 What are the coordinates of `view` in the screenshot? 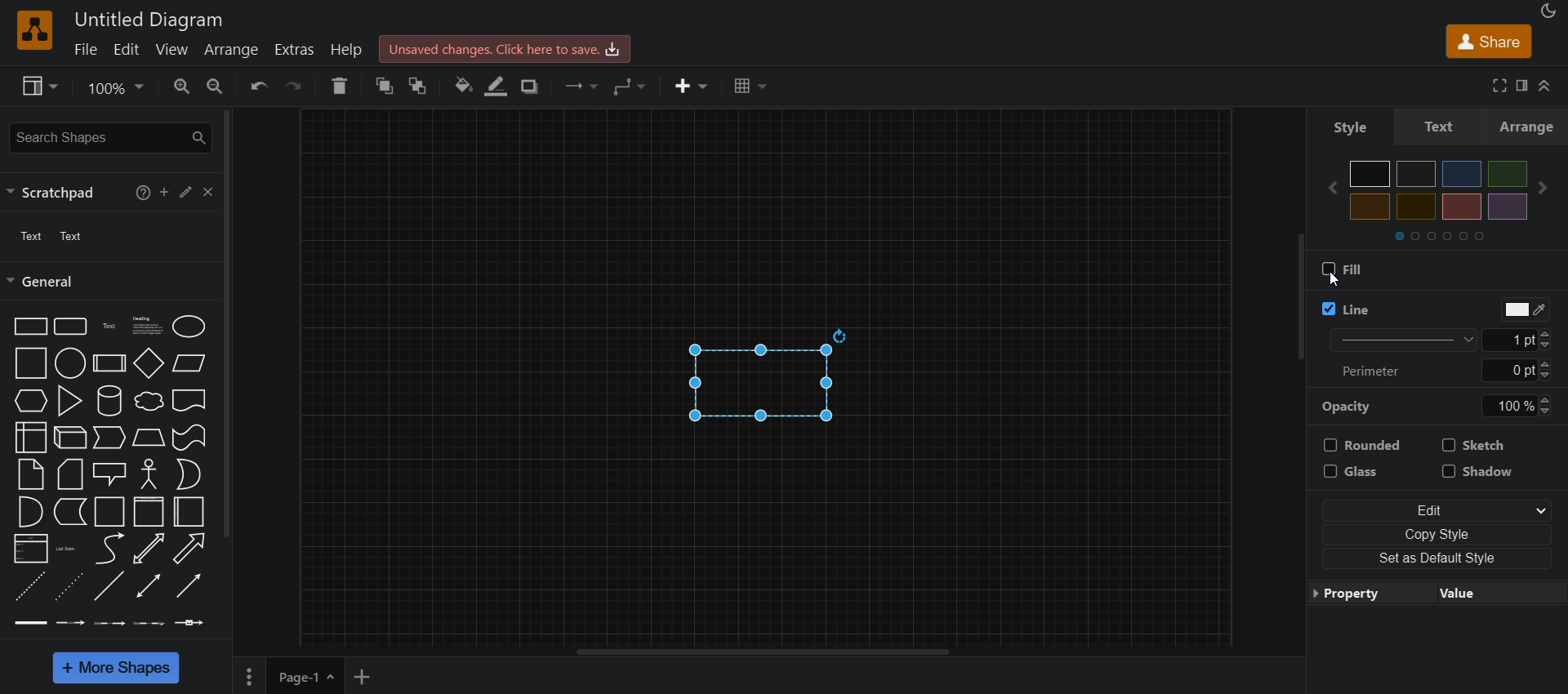 It's located at (37, 84).